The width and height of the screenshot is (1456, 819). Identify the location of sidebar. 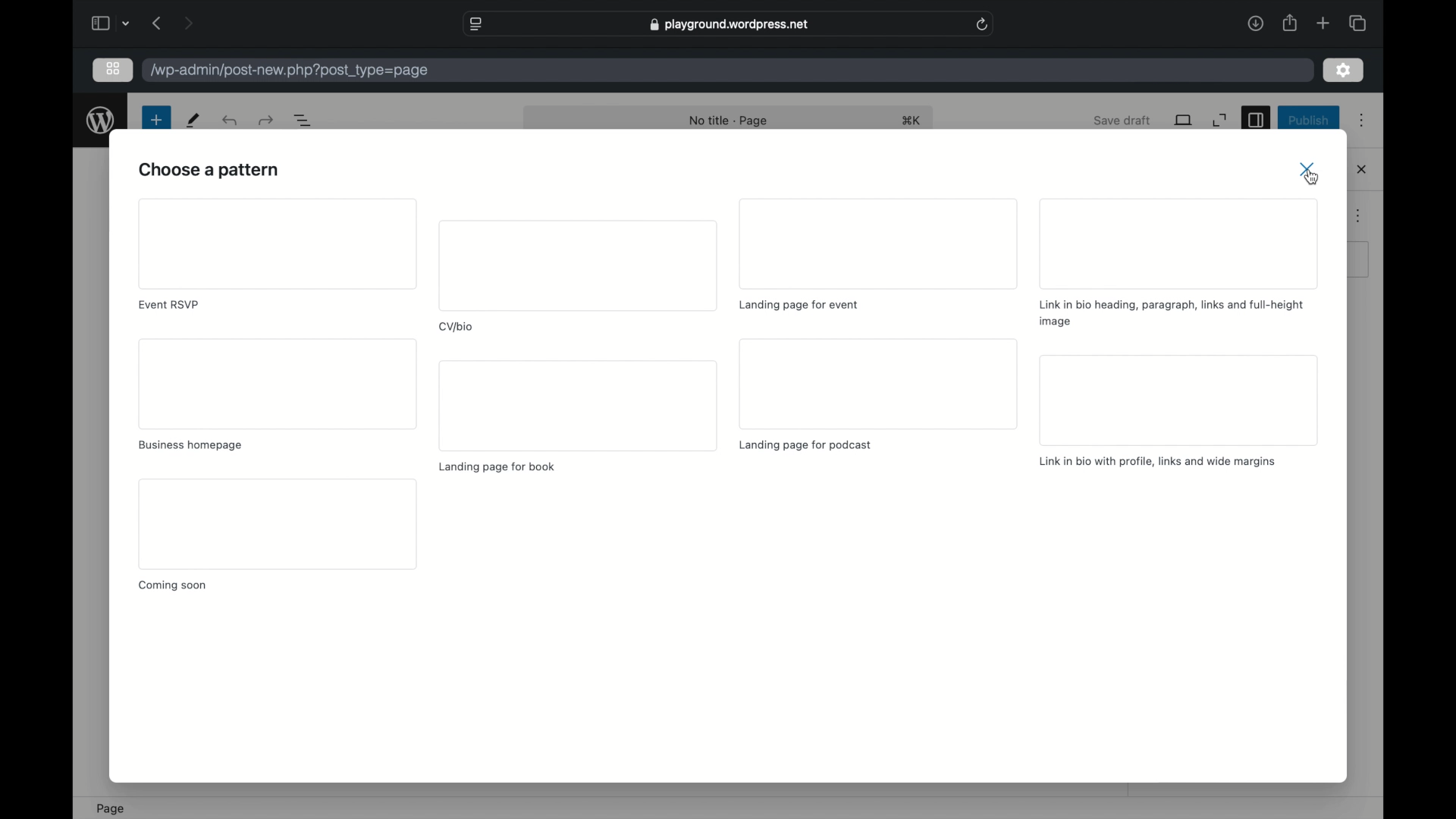
(1256, 121).